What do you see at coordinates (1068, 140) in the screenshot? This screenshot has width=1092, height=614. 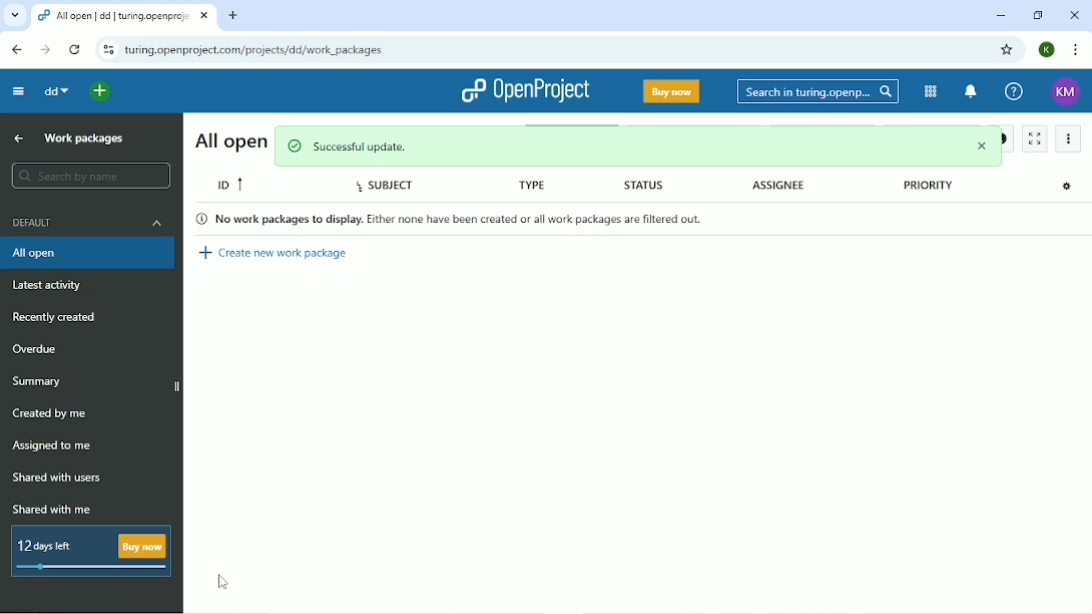 I see `More actions` at bounding box center [1068, 140].